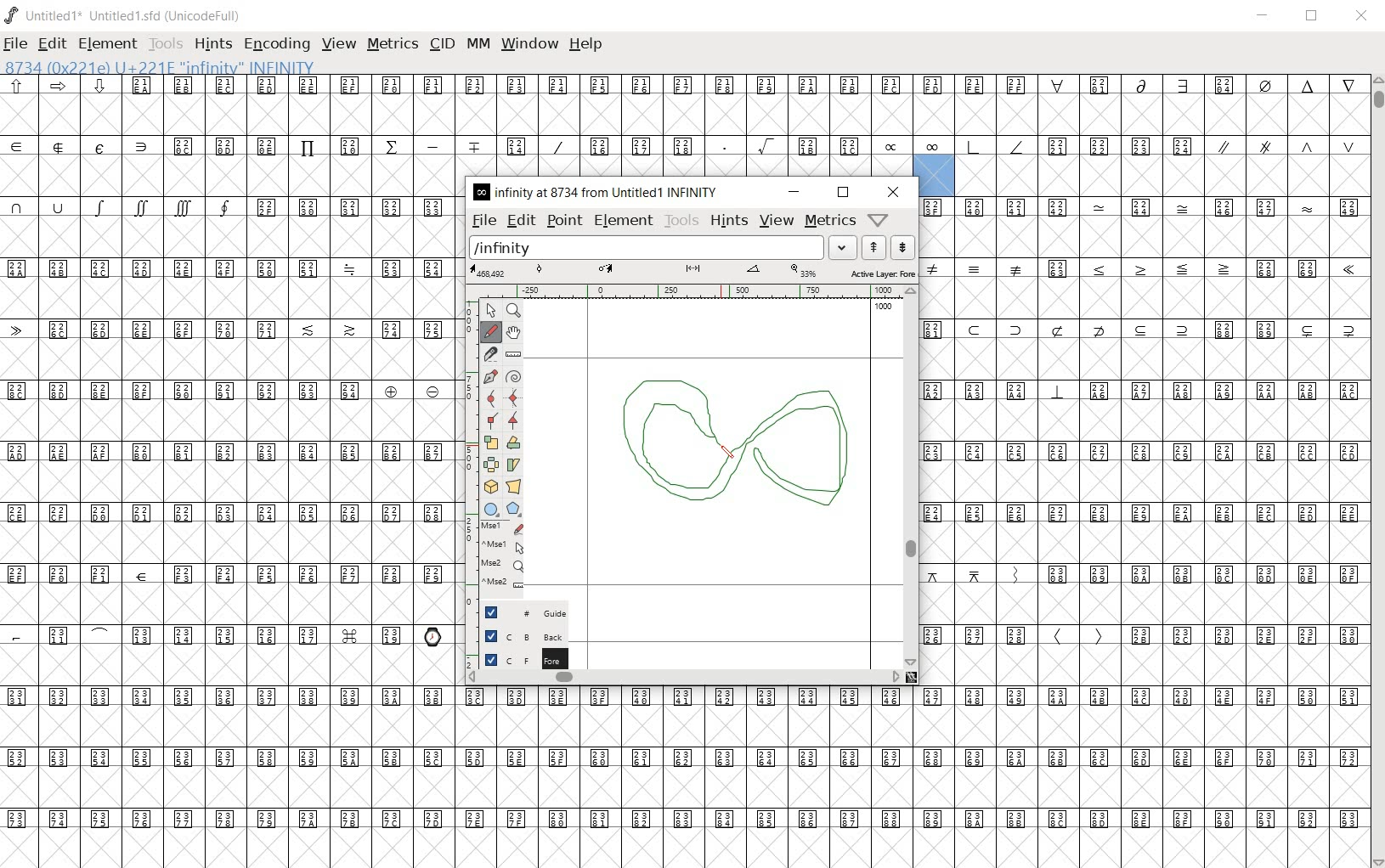 The image size is (1385, 868). What do you see at coordinates (235, 391) in the screenshot?
I see `Unicode code points` at bounding box center [235, 391].